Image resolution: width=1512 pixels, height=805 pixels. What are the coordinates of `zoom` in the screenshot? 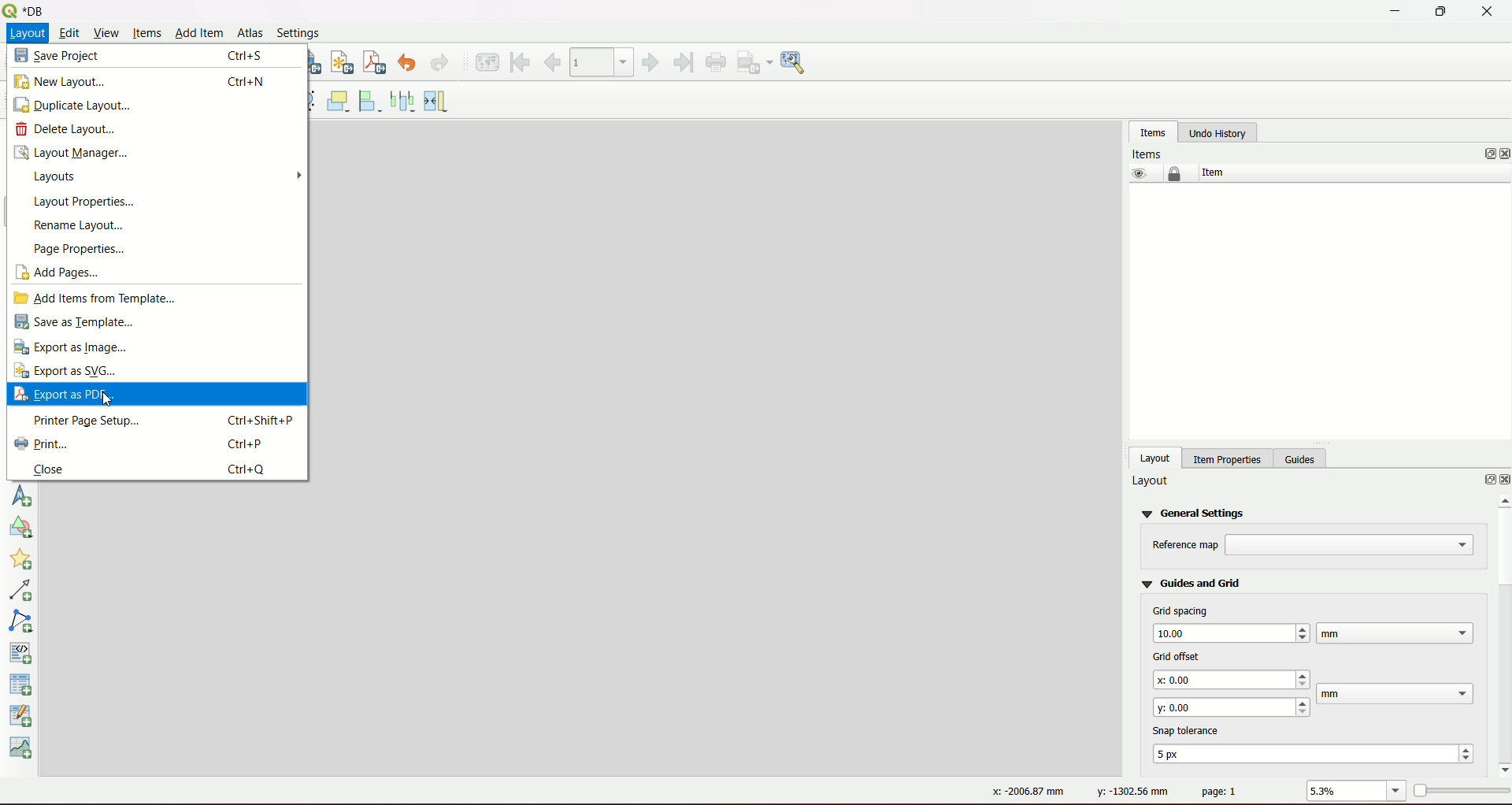 It's located at (1397, 792).